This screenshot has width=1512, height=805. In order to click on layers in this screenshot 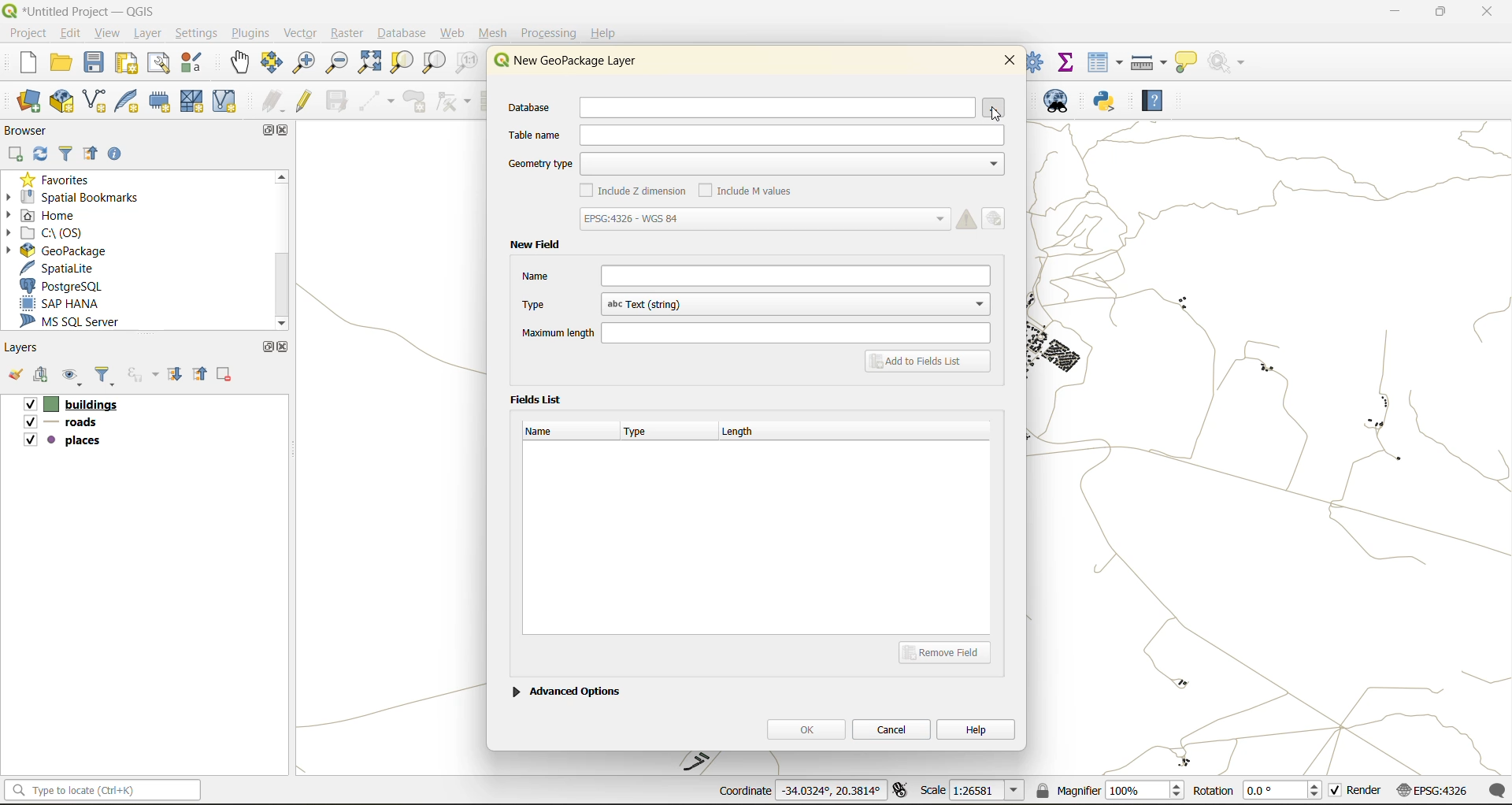, I will do `click(25, 348)`.